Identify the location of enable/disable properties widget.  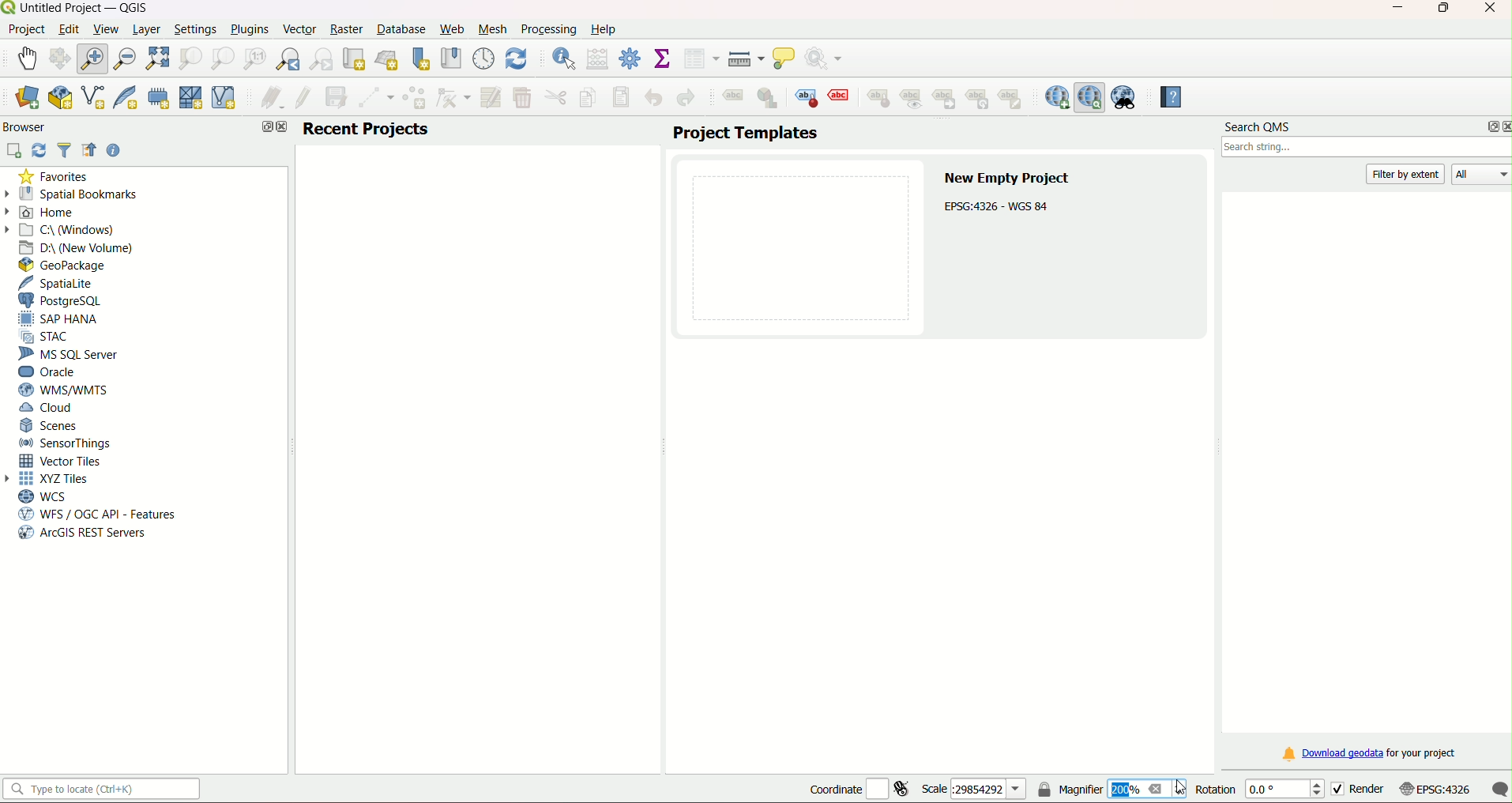
(115, 150).